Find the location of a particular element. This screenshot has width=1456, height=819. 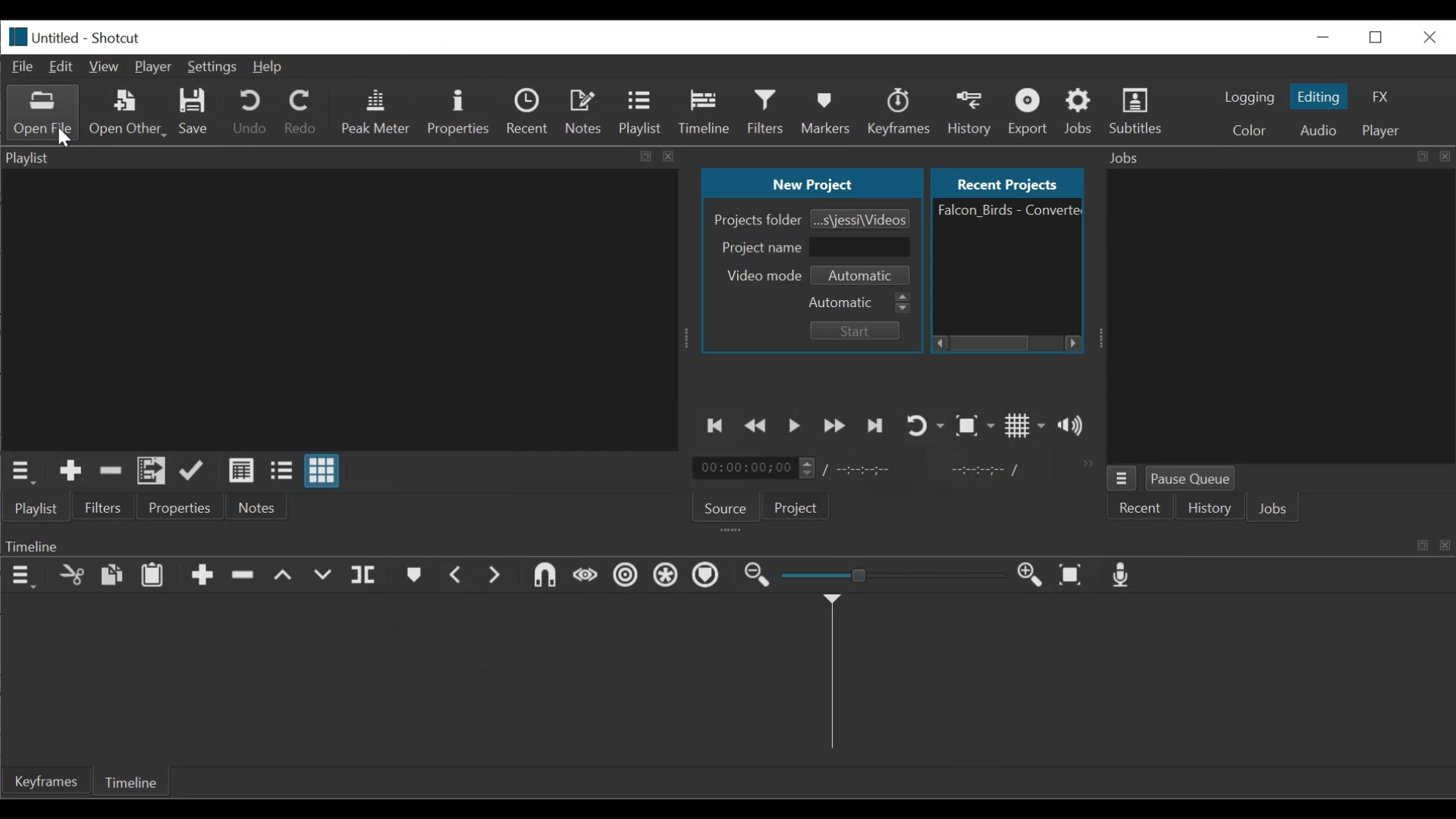

View as icons is located at coordinates (325, 471).